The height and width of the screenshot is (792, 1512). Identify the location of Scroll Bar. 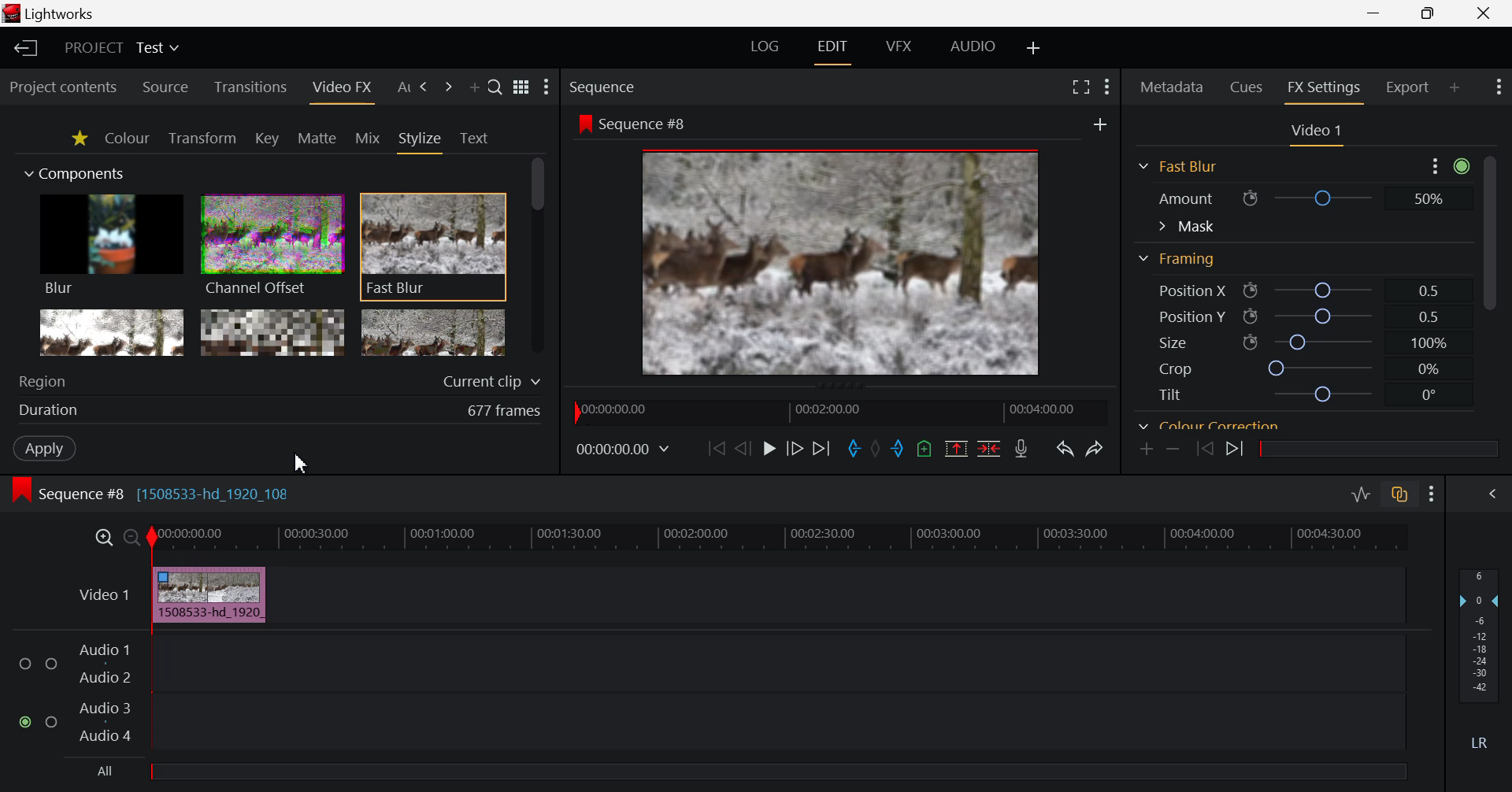
(540, 257).